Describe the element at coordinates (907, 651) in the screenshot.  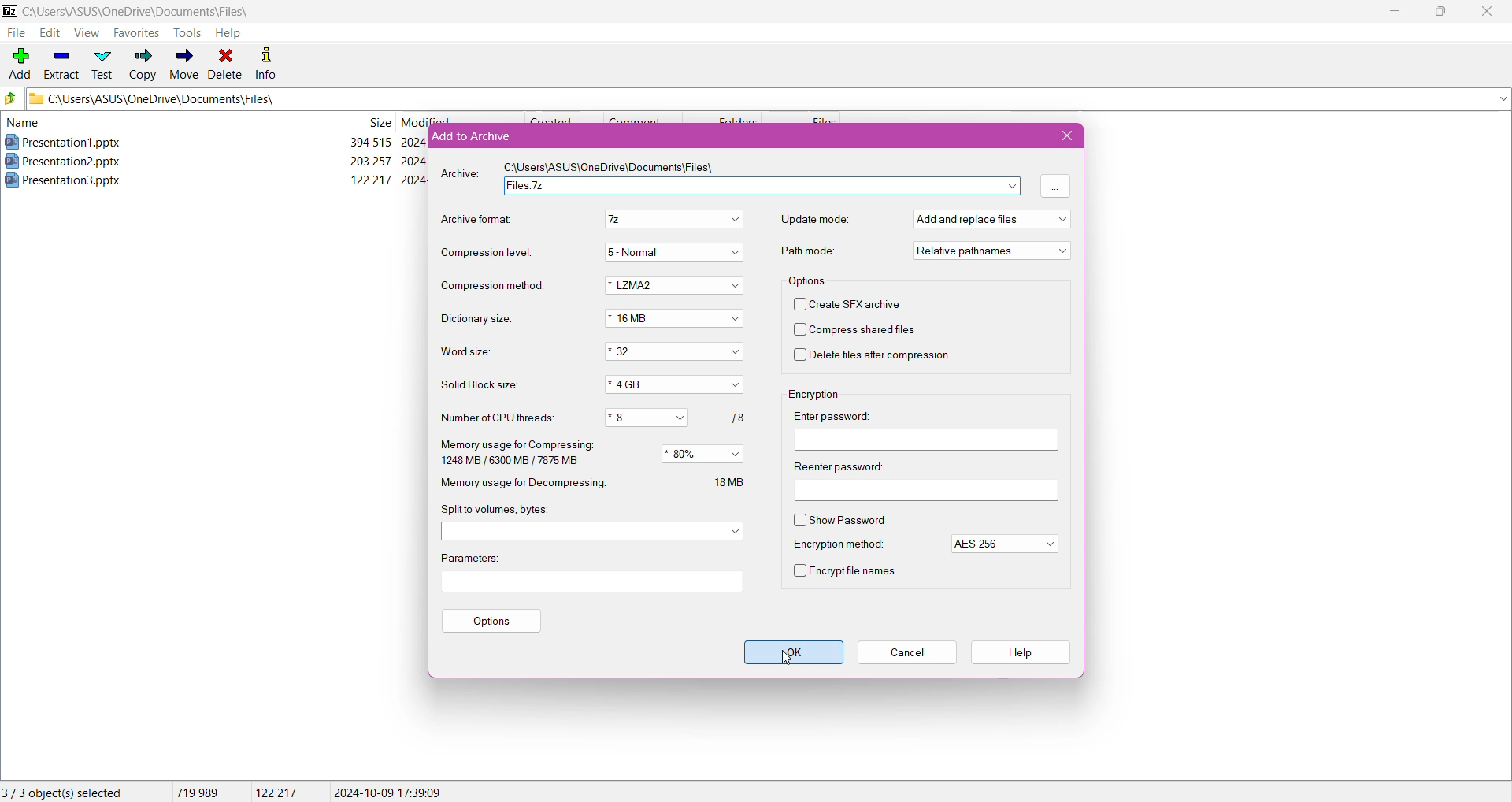
I see `Cancel` at that location.